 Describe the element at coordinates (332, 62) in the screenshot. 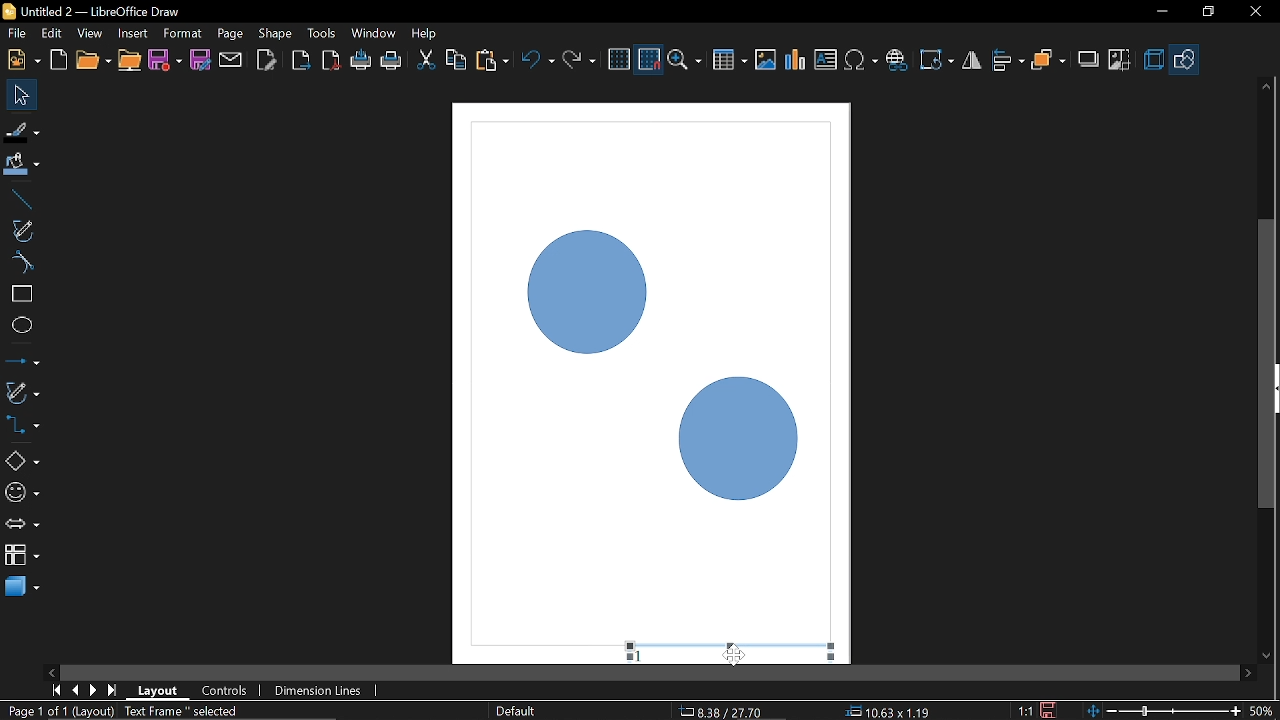

I see `Export directly as pdf` at that location.